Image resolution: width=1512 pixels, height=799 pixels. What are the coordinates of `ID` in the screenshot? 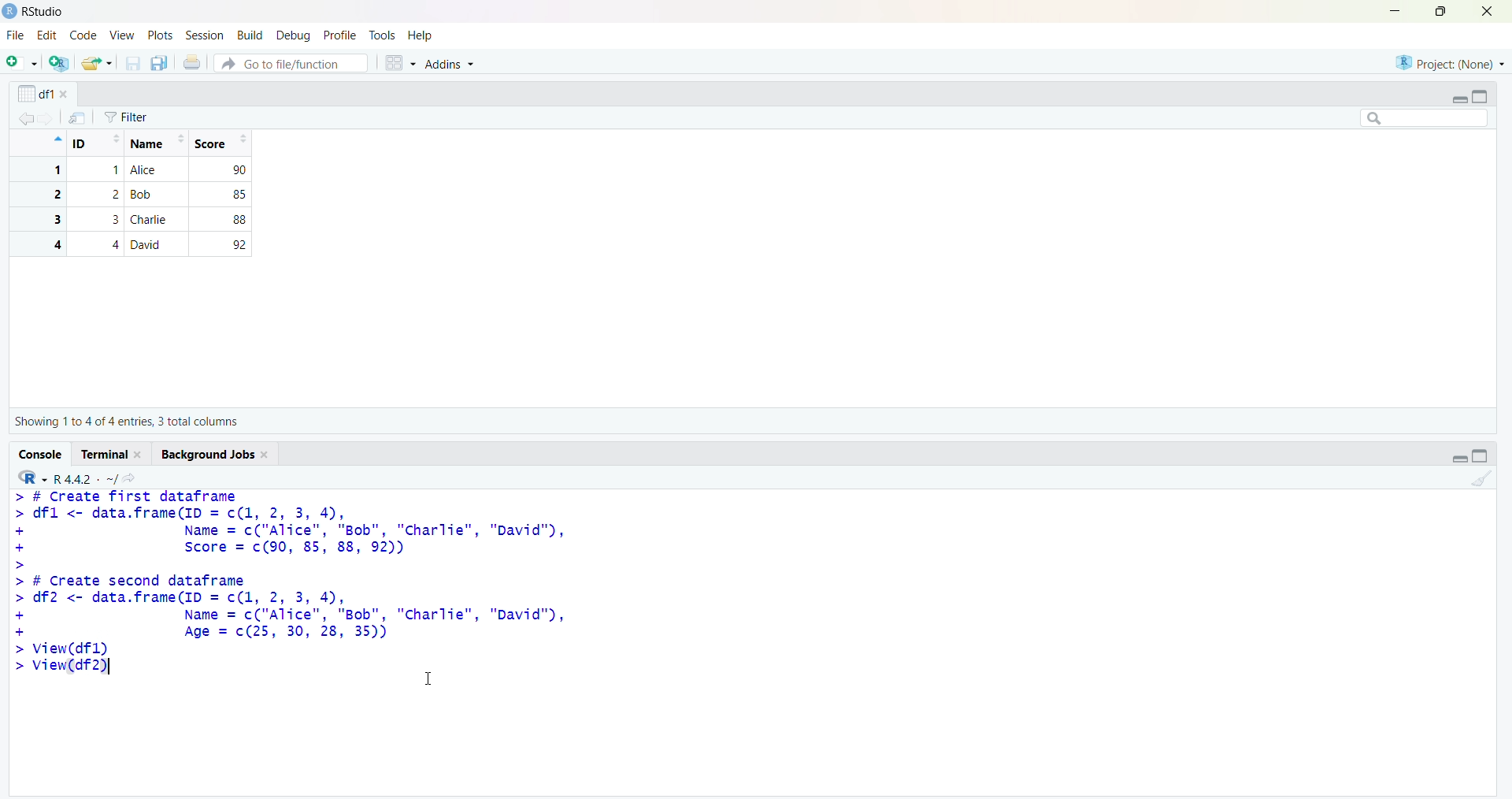 It's located at (97, 143).